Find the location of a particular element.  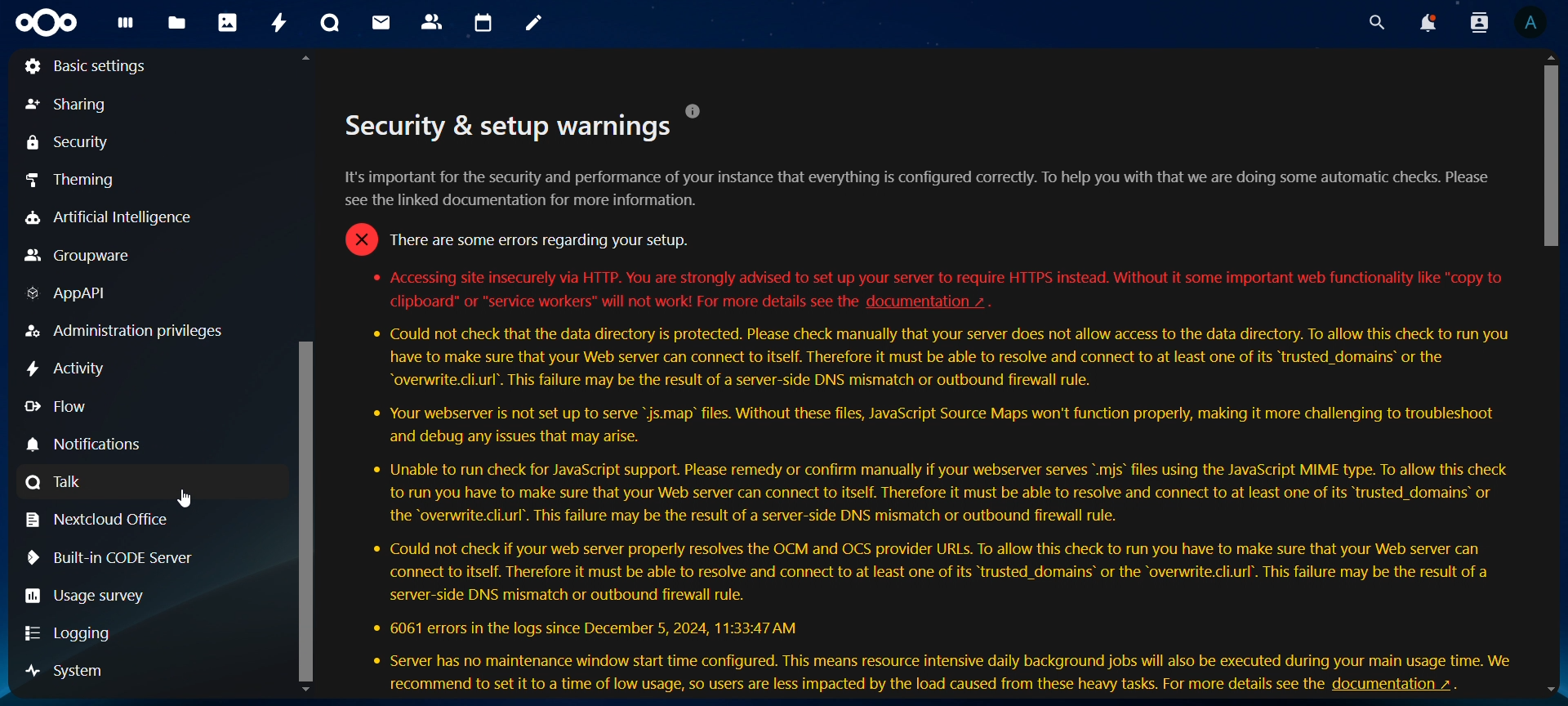

It's important for the security and performance of your instance that everything is configured correctly. To help you with that we are doing some automatic checks. Please
see the linked documentation for more information. is located at coordinates (913, 188).